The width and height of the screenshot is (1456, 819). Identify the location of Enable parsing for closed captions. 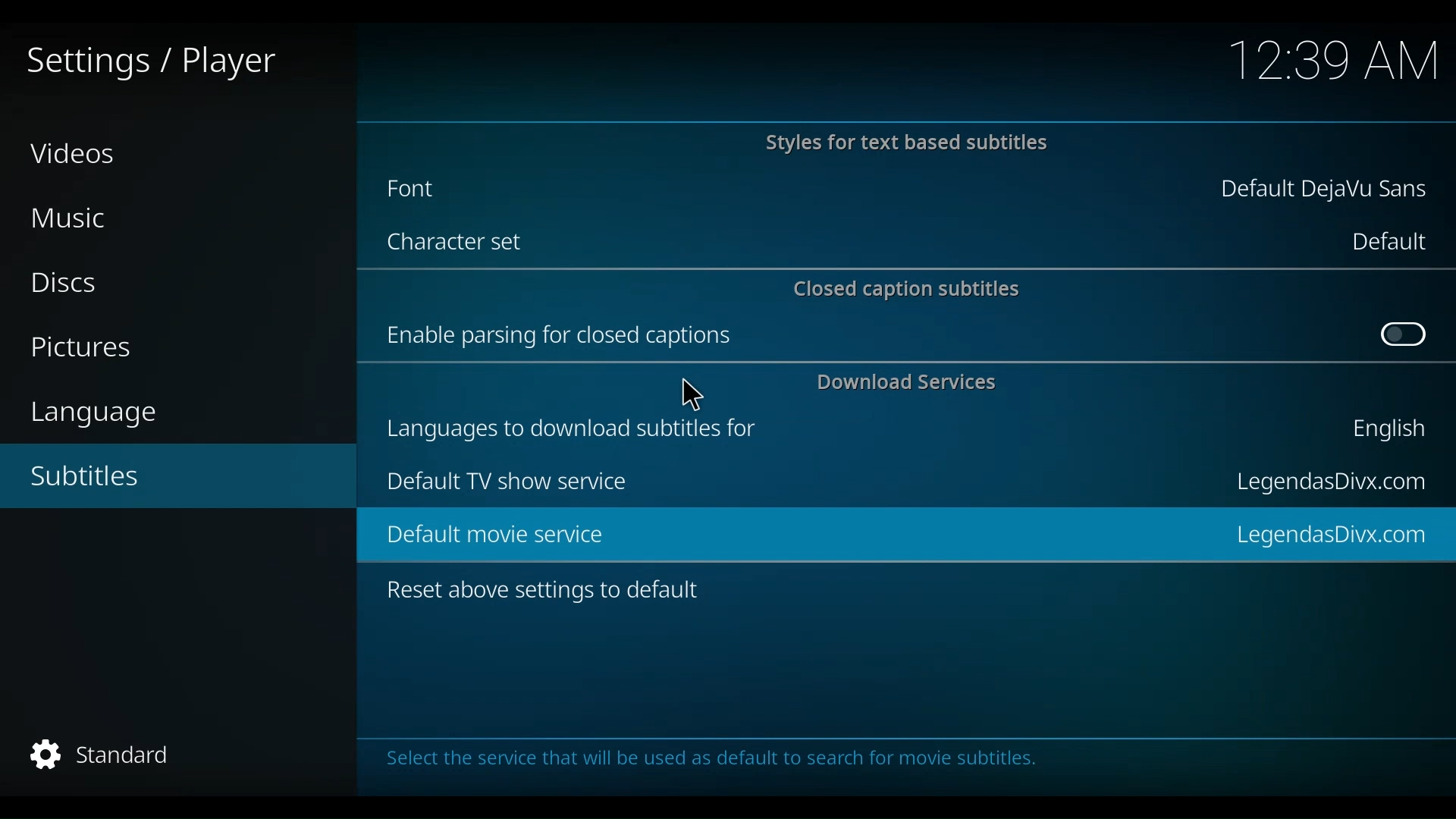
(563, 335).